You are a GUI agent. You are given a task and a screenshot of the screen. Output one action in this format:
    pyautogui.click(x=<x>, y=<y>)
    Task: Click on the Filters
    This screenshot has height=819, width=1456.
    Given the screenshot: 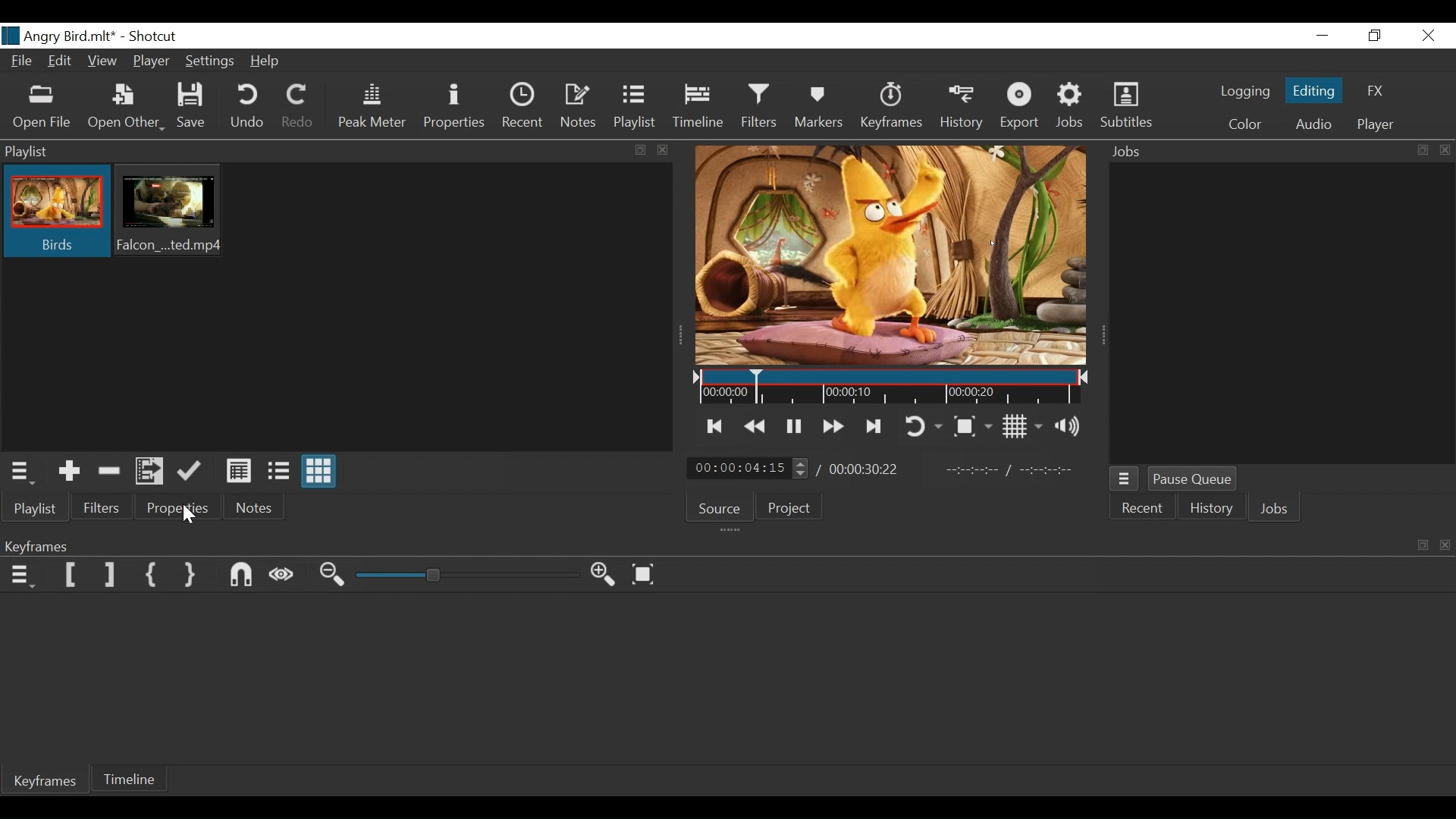 What is the action you would take?
    pyautogui.click(x=103, y=507)
    